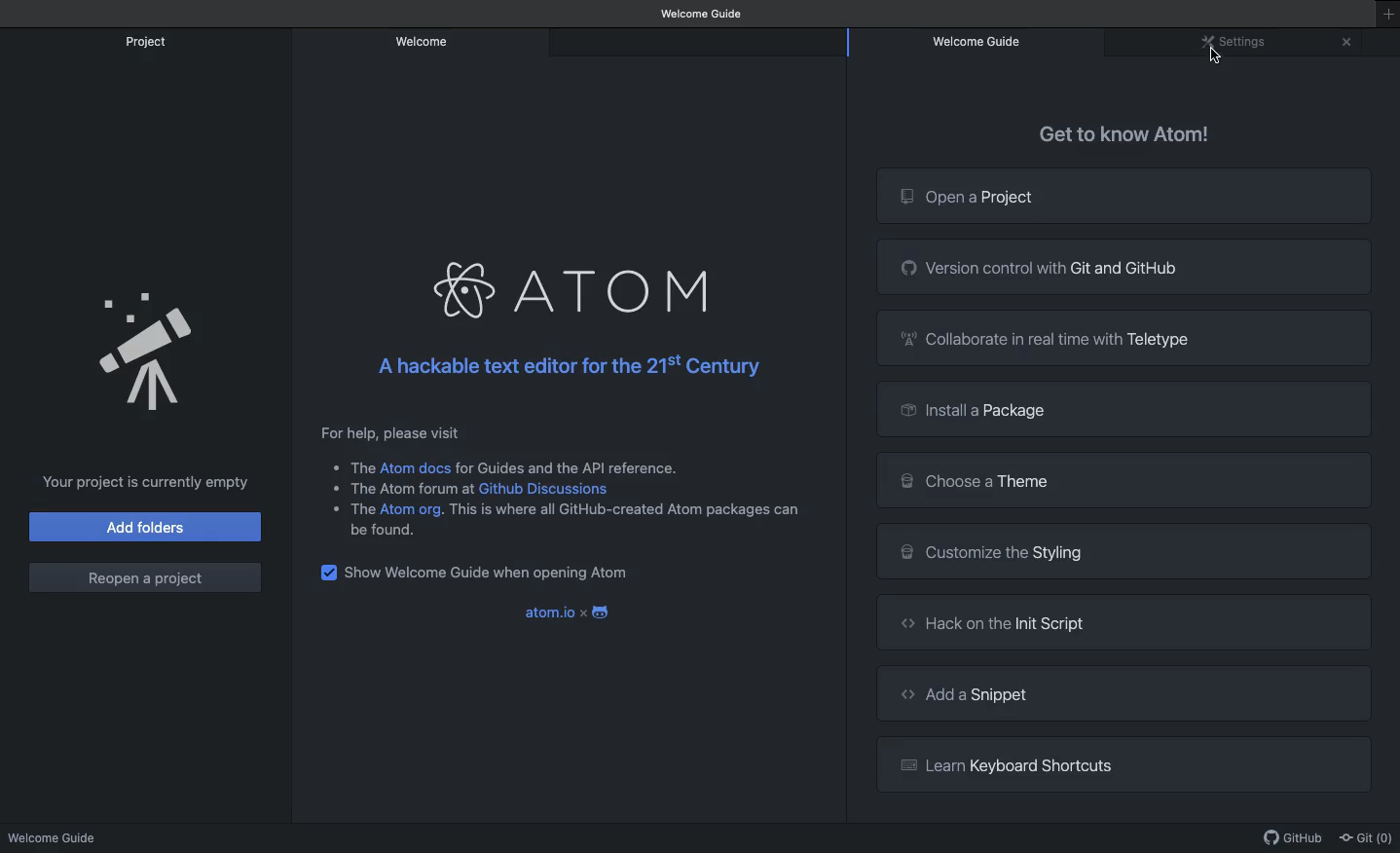  What do you see at coordinates (468, 291) in the screenshot?
I see `atom logo` at bounding box center [468, 291].